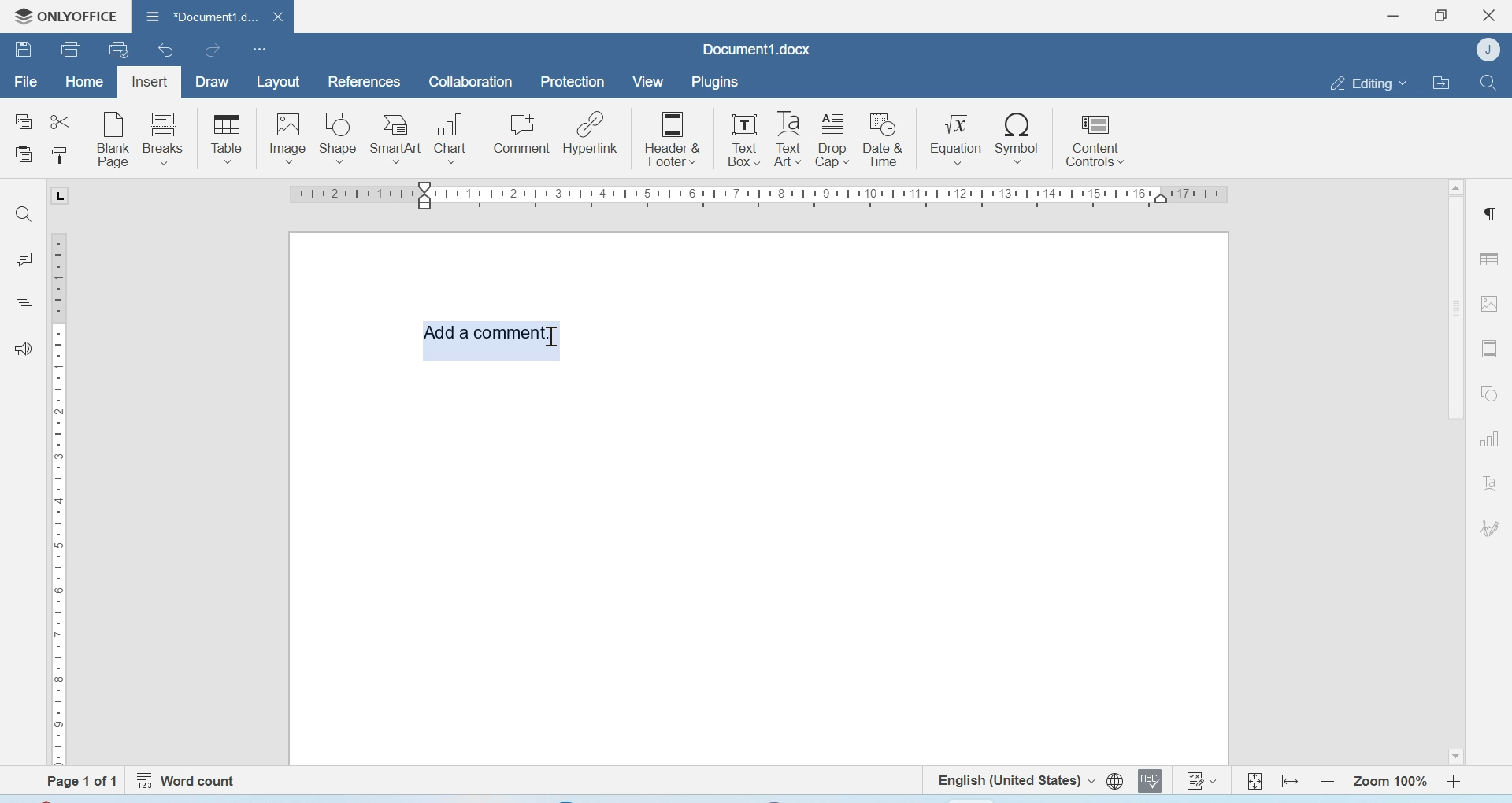 This screenshot has width=1512, height=803. Describe the element at coordinates (1018, 137) in the screenshot. I see `Symbol` at that location.